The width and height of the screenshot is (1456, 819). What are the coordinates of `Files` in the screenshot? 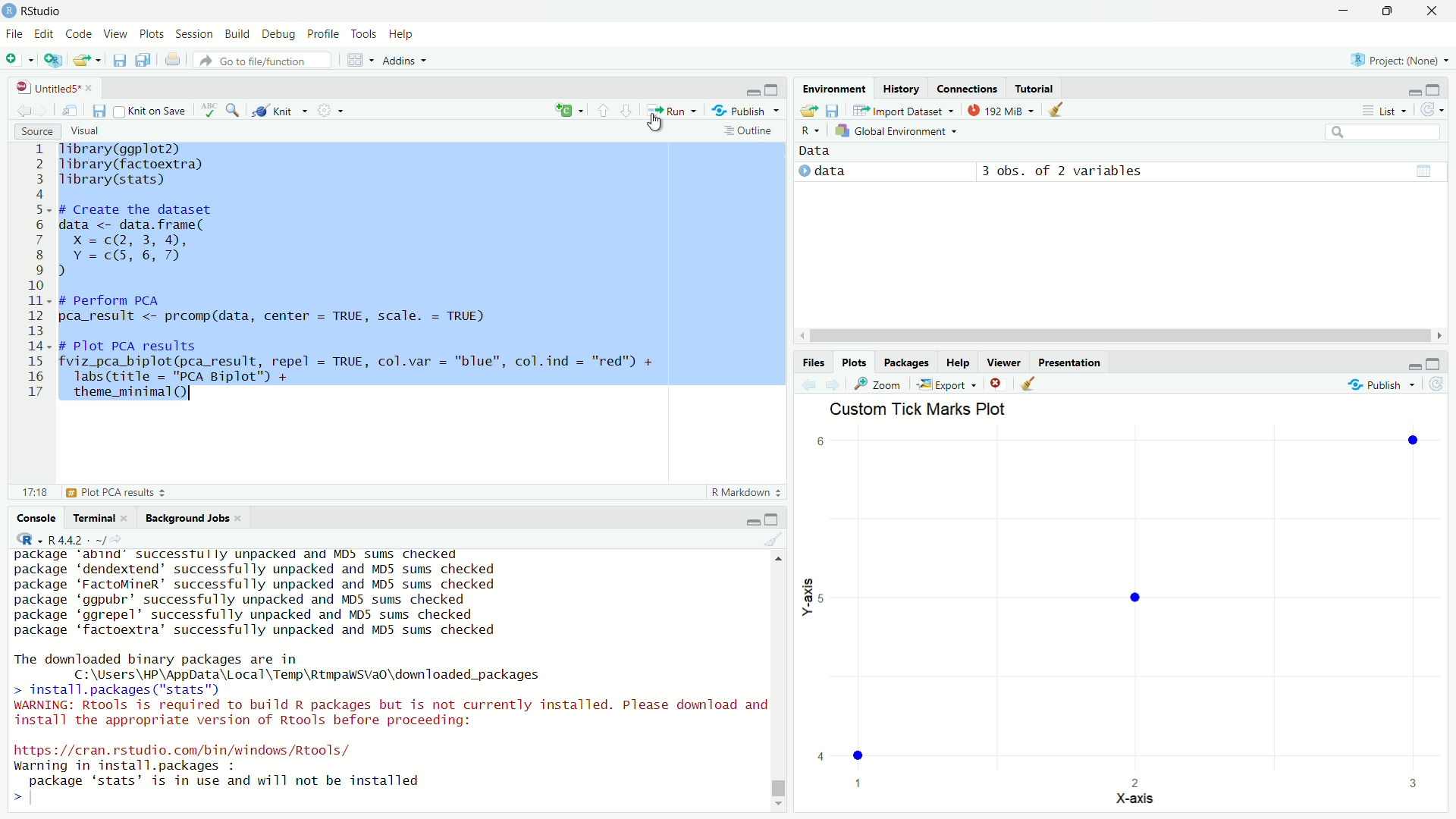 It's located at (814, 362).